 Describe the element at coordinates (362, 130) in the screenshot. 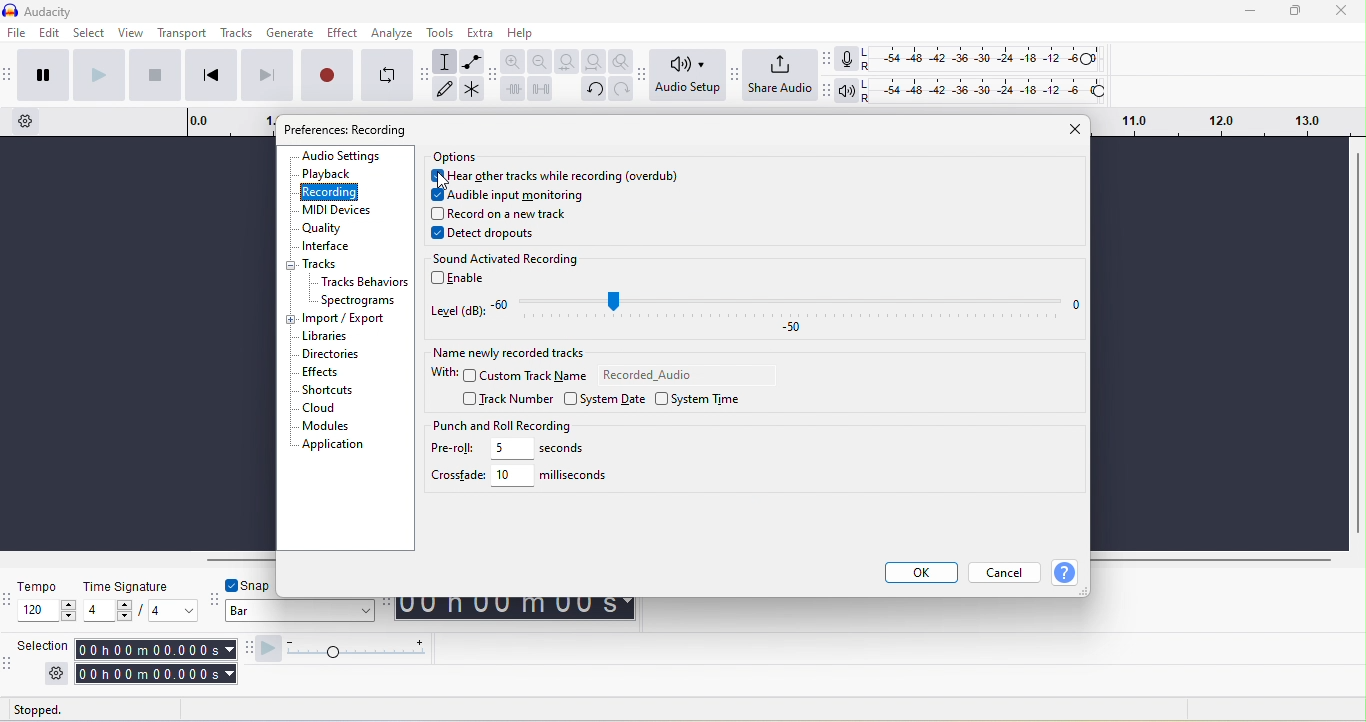

I see `preference: audio setting` at that location.